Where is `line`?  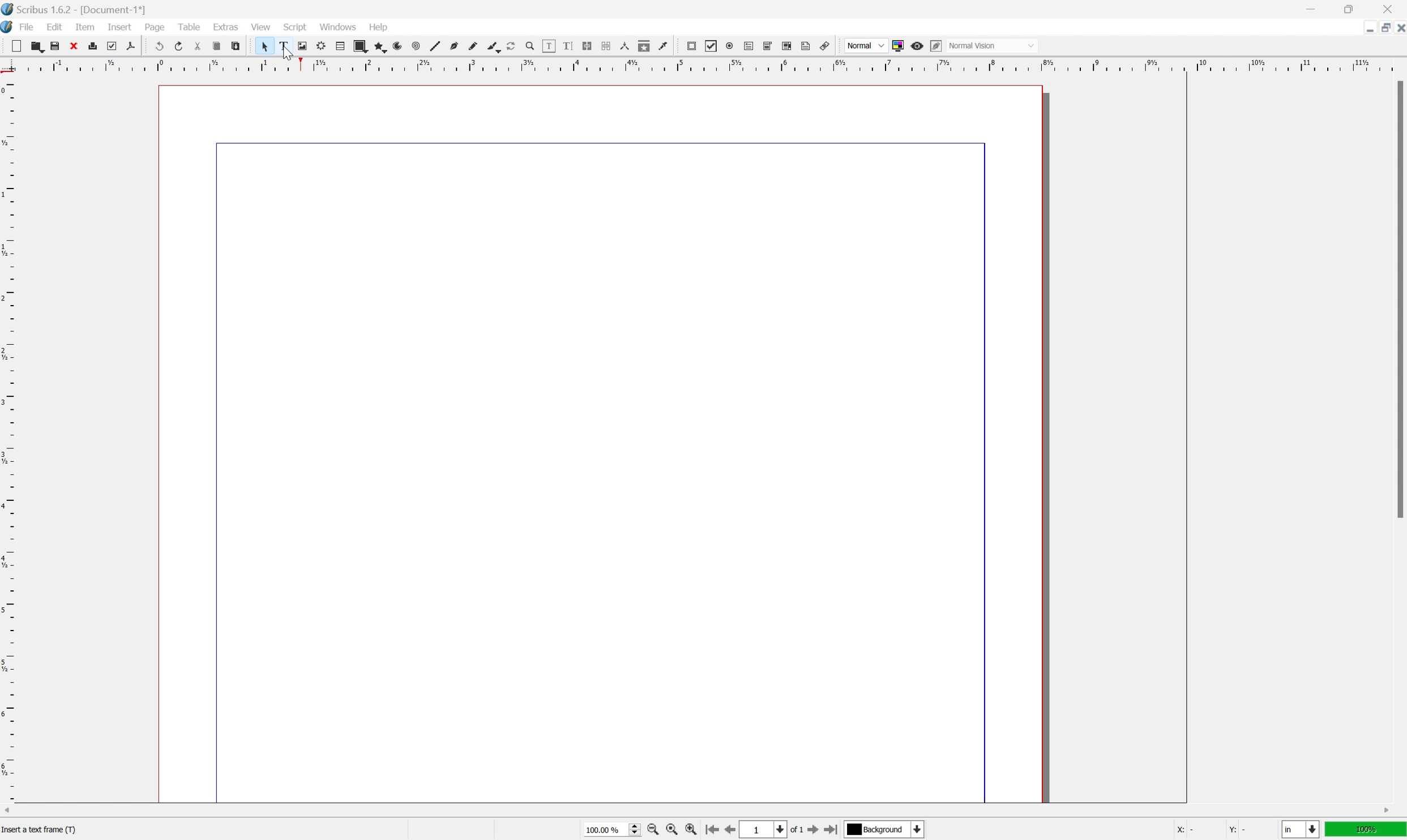
line is located at coordinates (435, 47).